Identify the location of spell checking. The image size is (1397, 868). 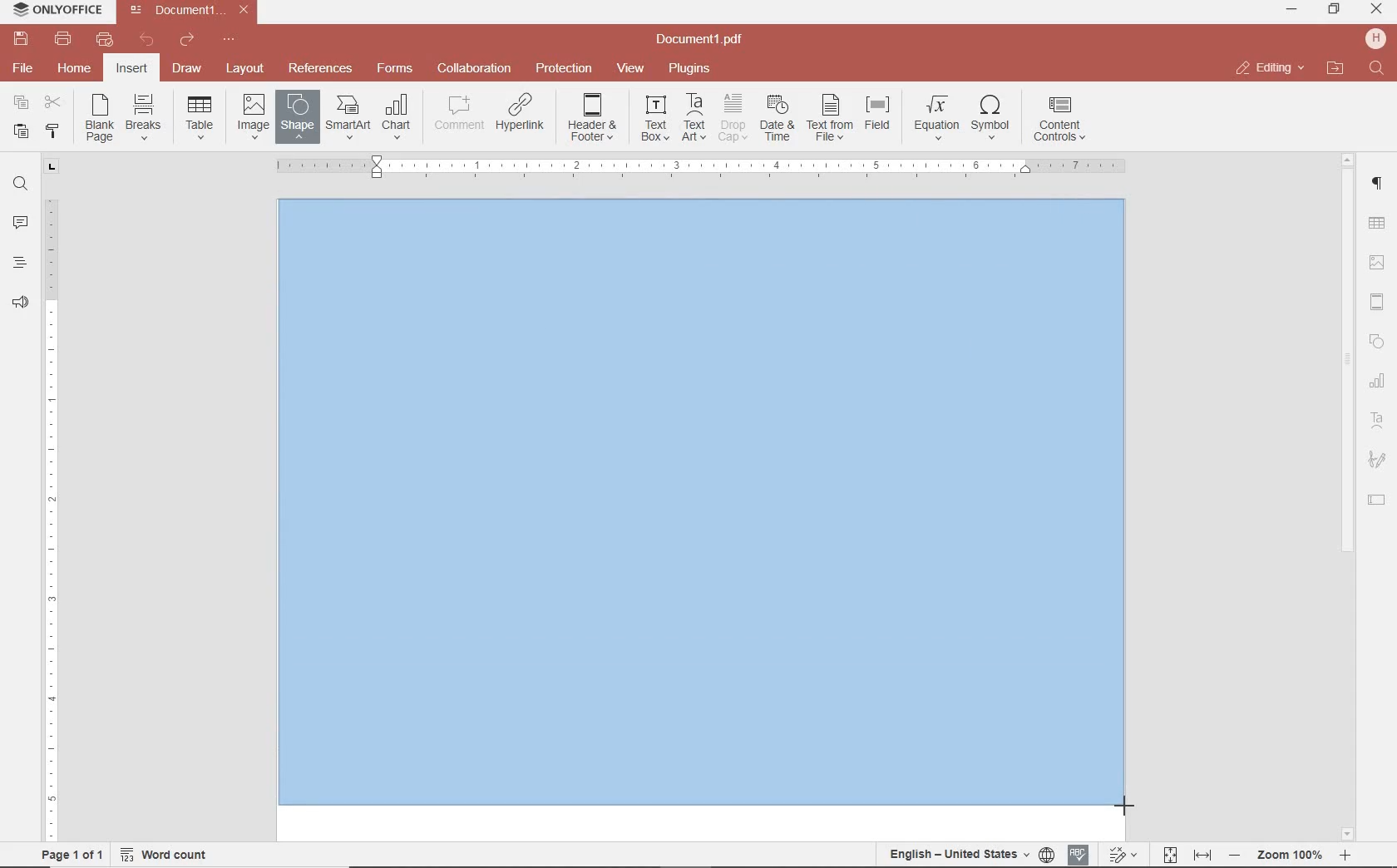
(1079, 855).